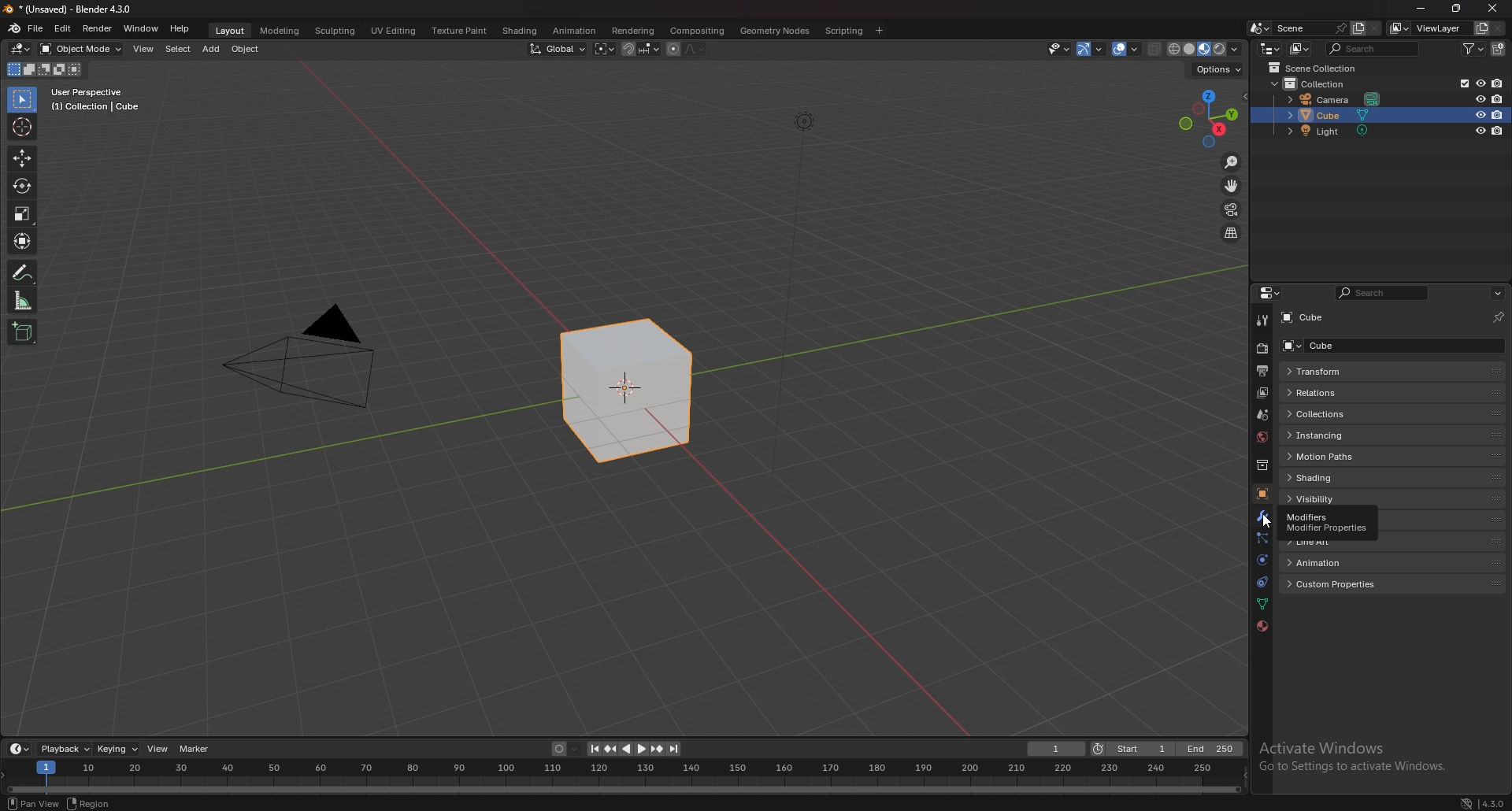 The image size is (1512, 811). I want to click on geometry nodes, so click(775, 30).